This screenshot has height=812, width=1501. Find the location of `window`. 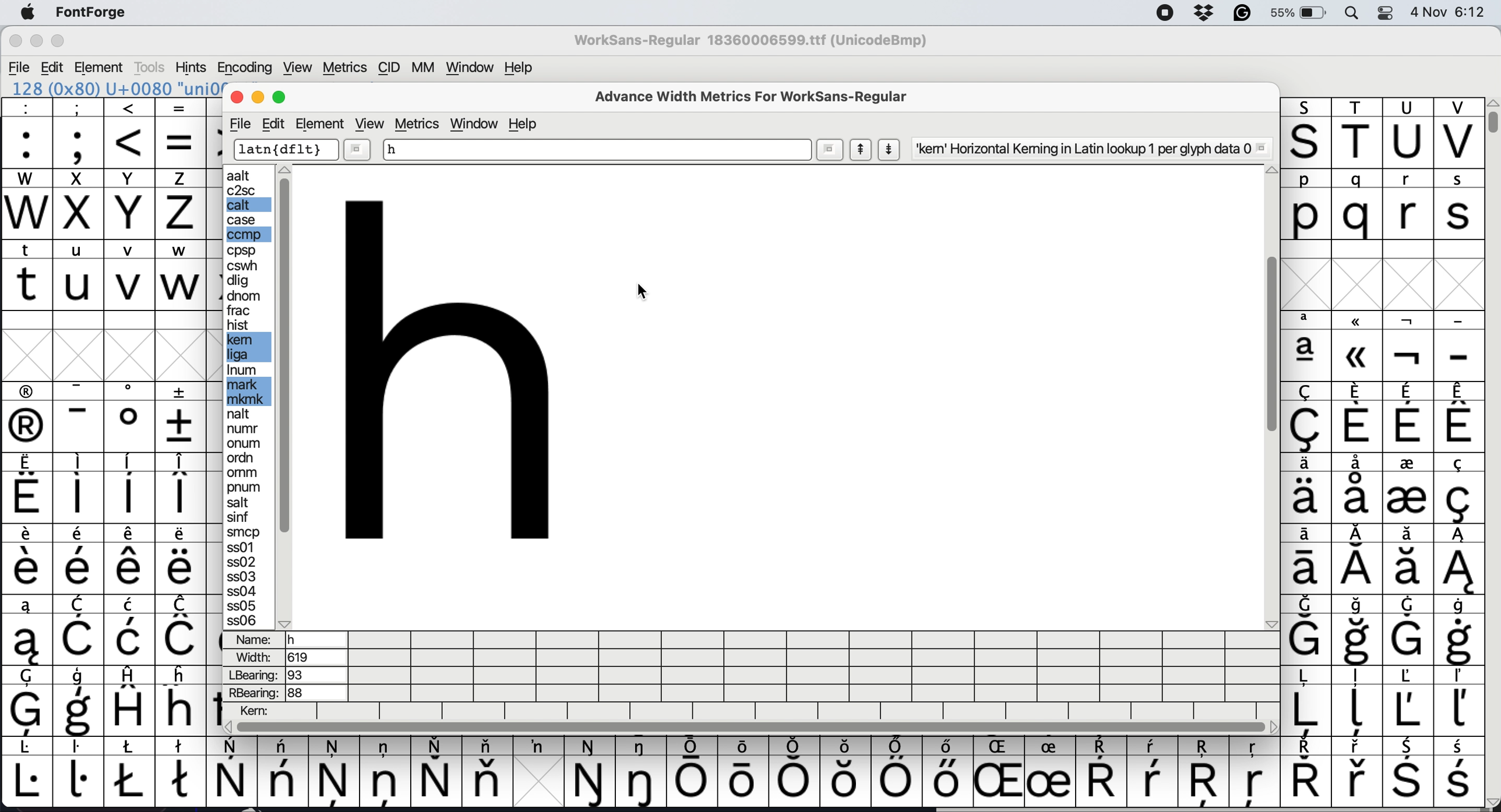

window is located at coordinates (473, 123).